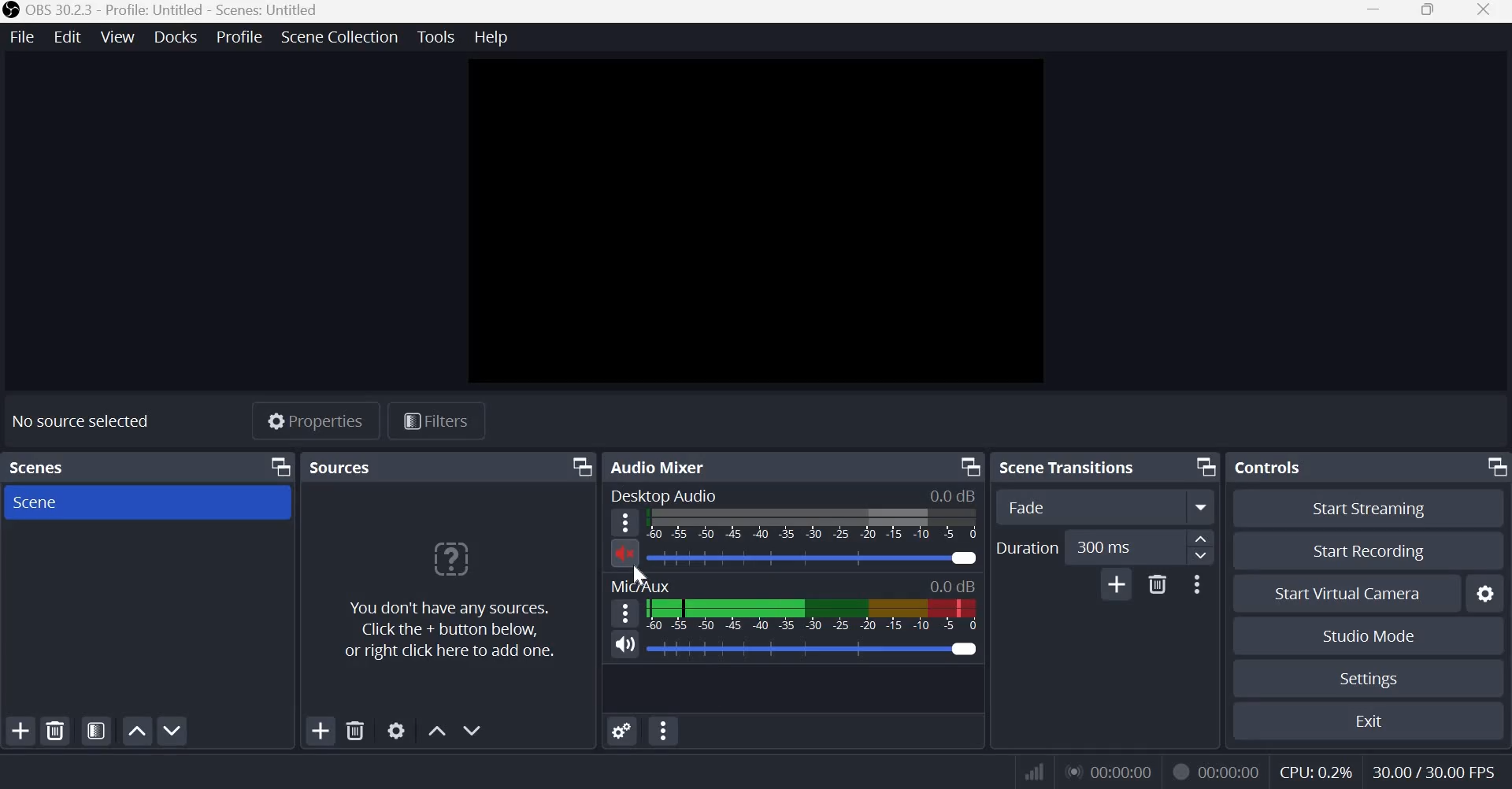 Image resolution: width=1512 pixels, height=789 pixels. What do you see at coordinates (434, 421) in the screenshot?
I see `Filters` at bounding box center [434, 421].